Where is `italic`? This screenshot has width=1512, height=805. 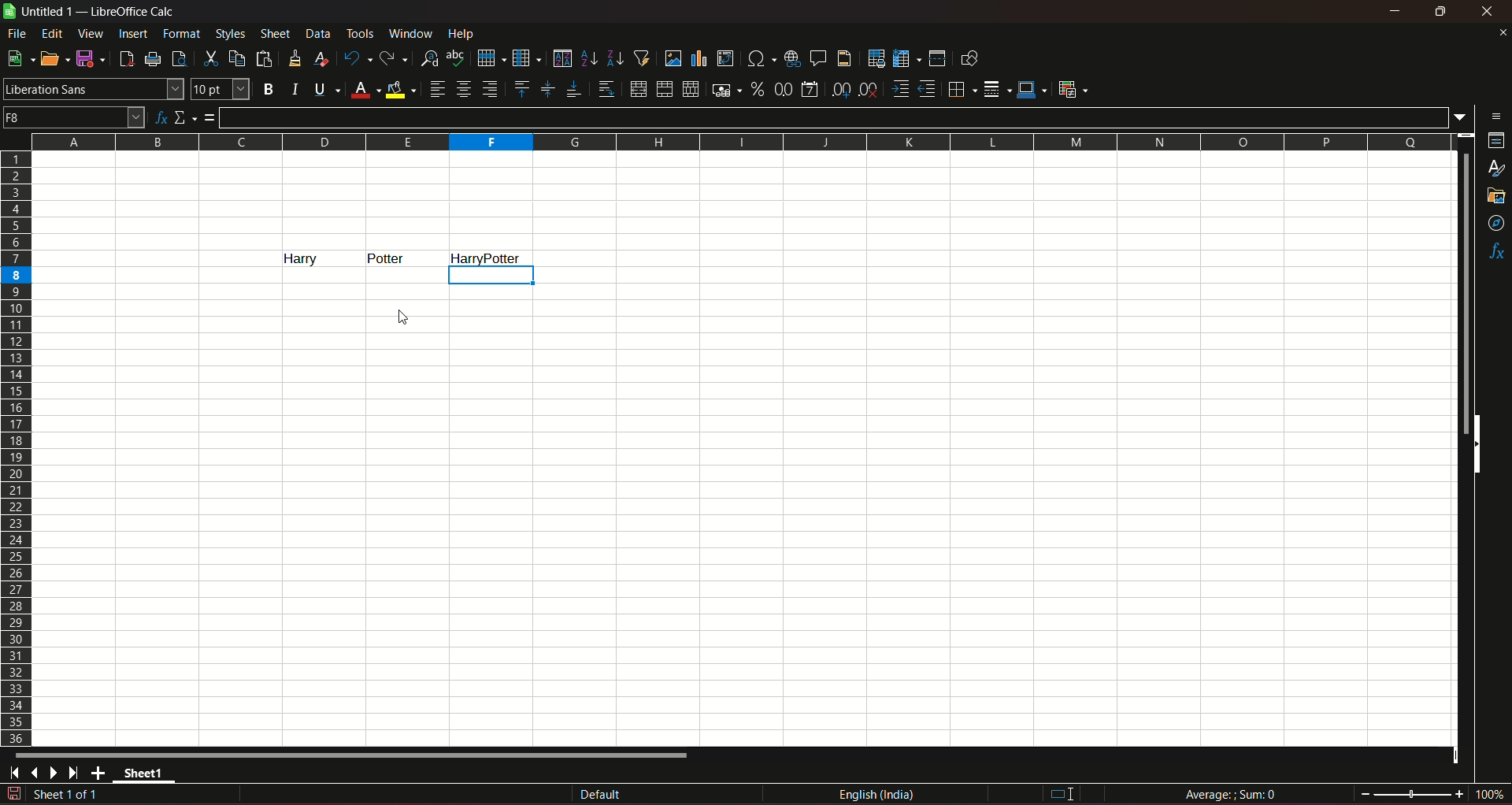 italic is located at coordinates (295, 88).